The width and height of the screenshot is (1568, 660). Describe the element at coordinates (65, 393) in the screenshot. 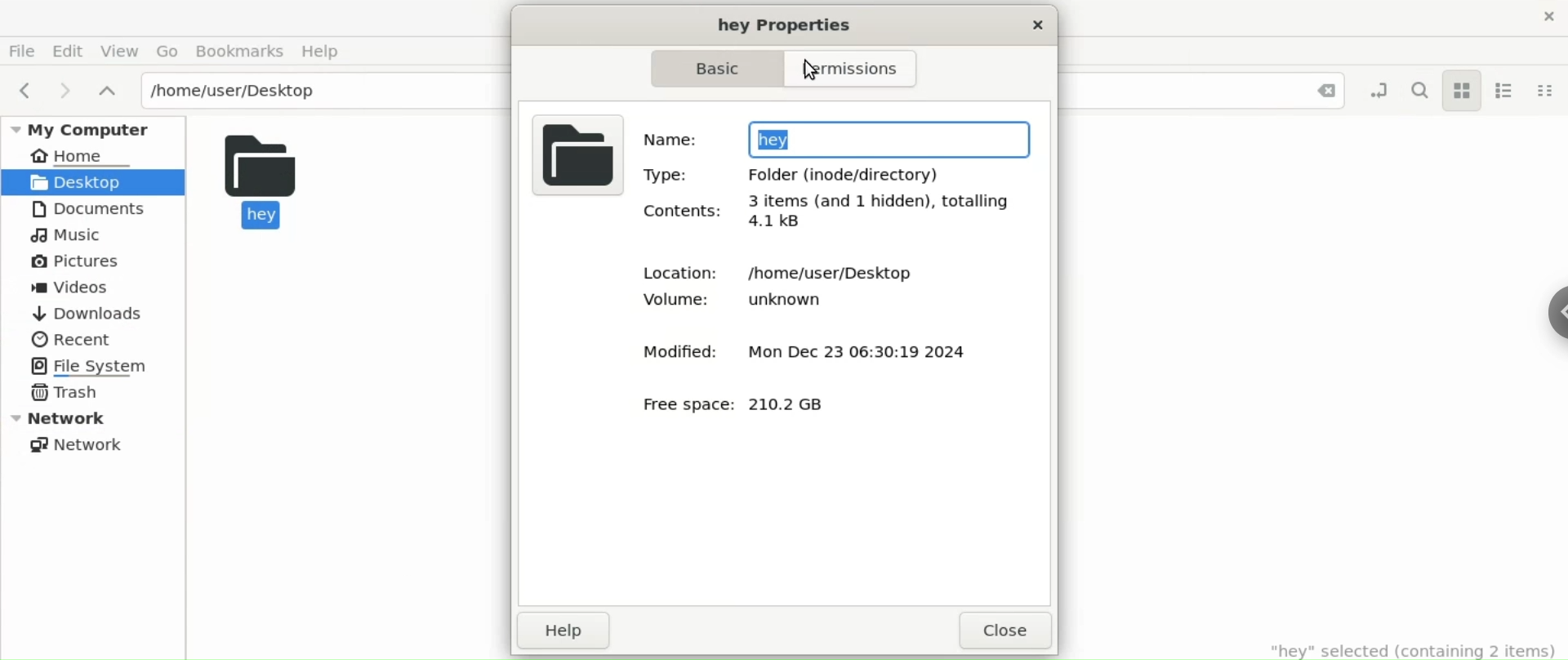

I see `Trash` at that location.